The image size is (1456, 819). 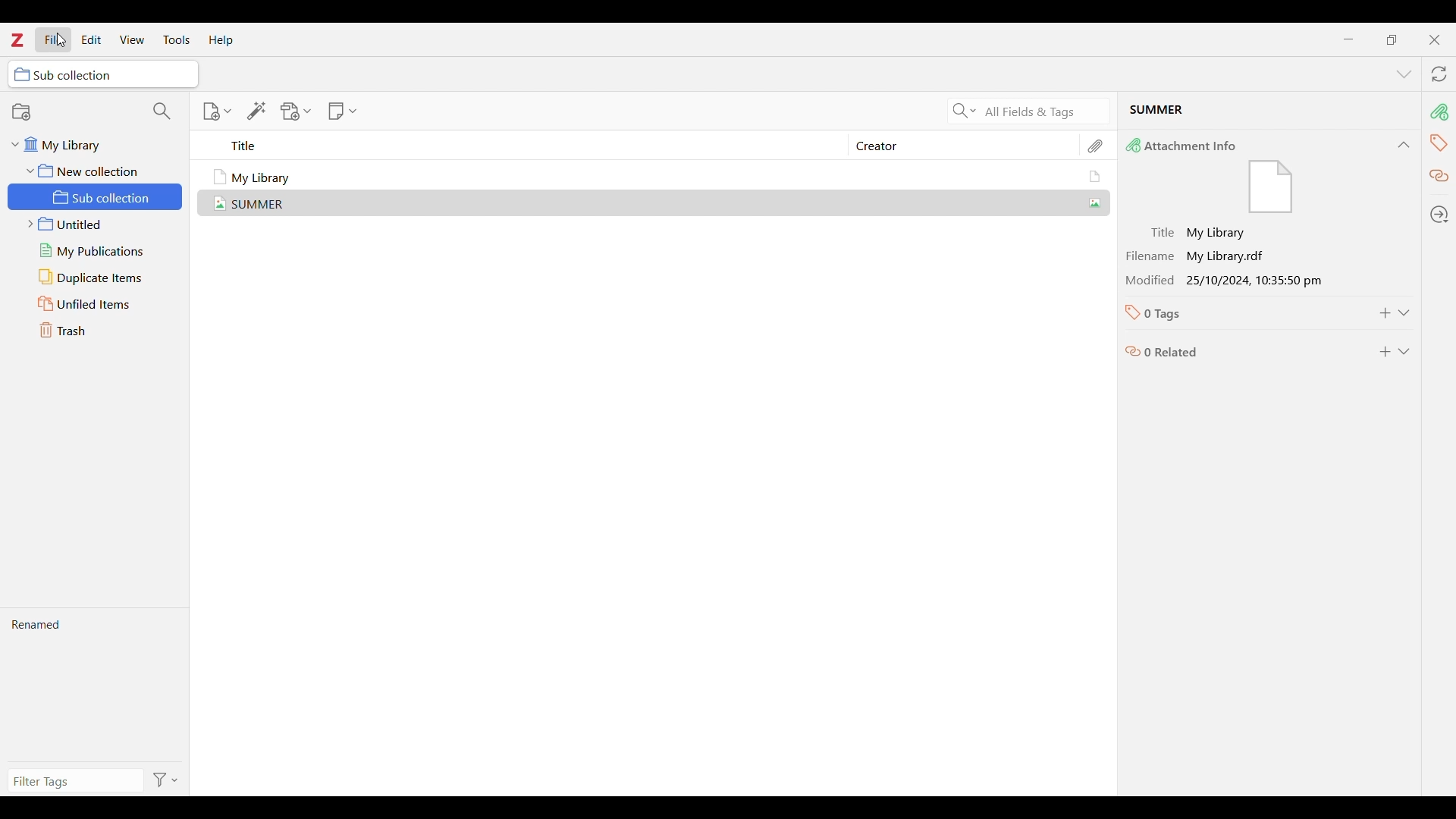 I want to click on Creator , so click(x=956, y=146).